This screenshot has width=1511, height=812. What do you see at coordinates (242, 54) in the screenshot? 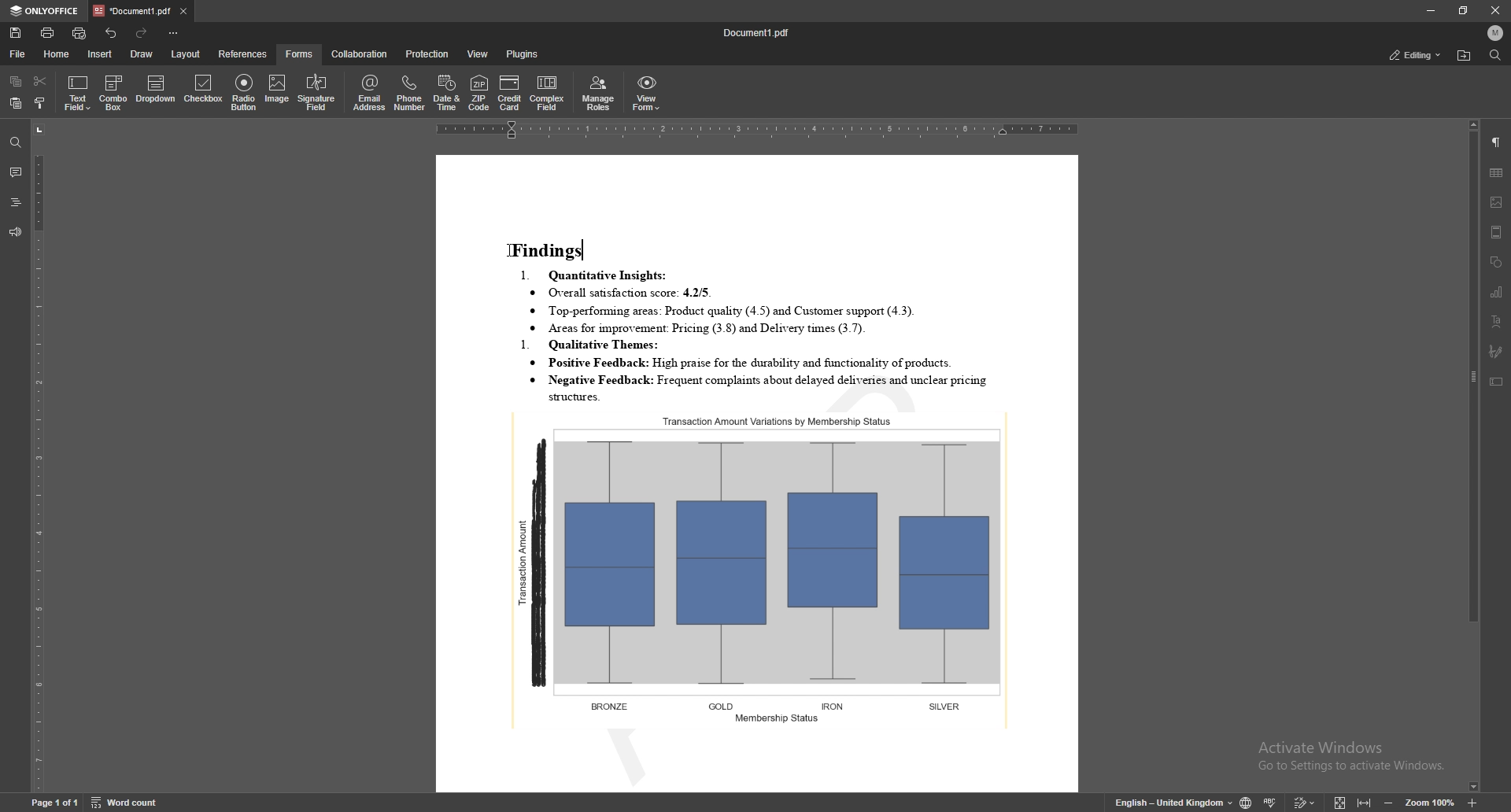
I see `references` at bounding box center [242, 54].